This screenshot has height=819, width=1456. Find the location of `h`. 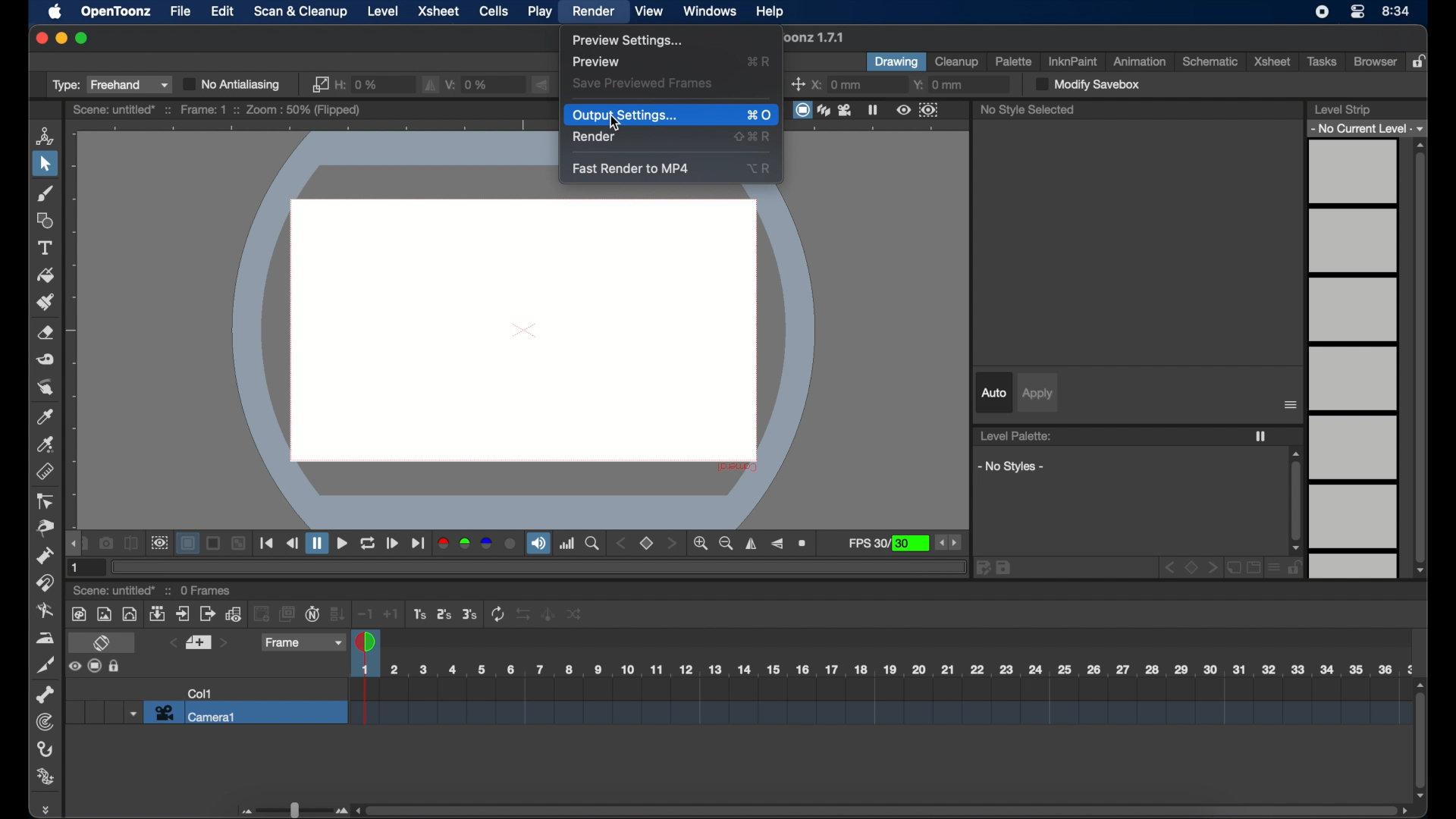

h is located at coordinates (359, 83).